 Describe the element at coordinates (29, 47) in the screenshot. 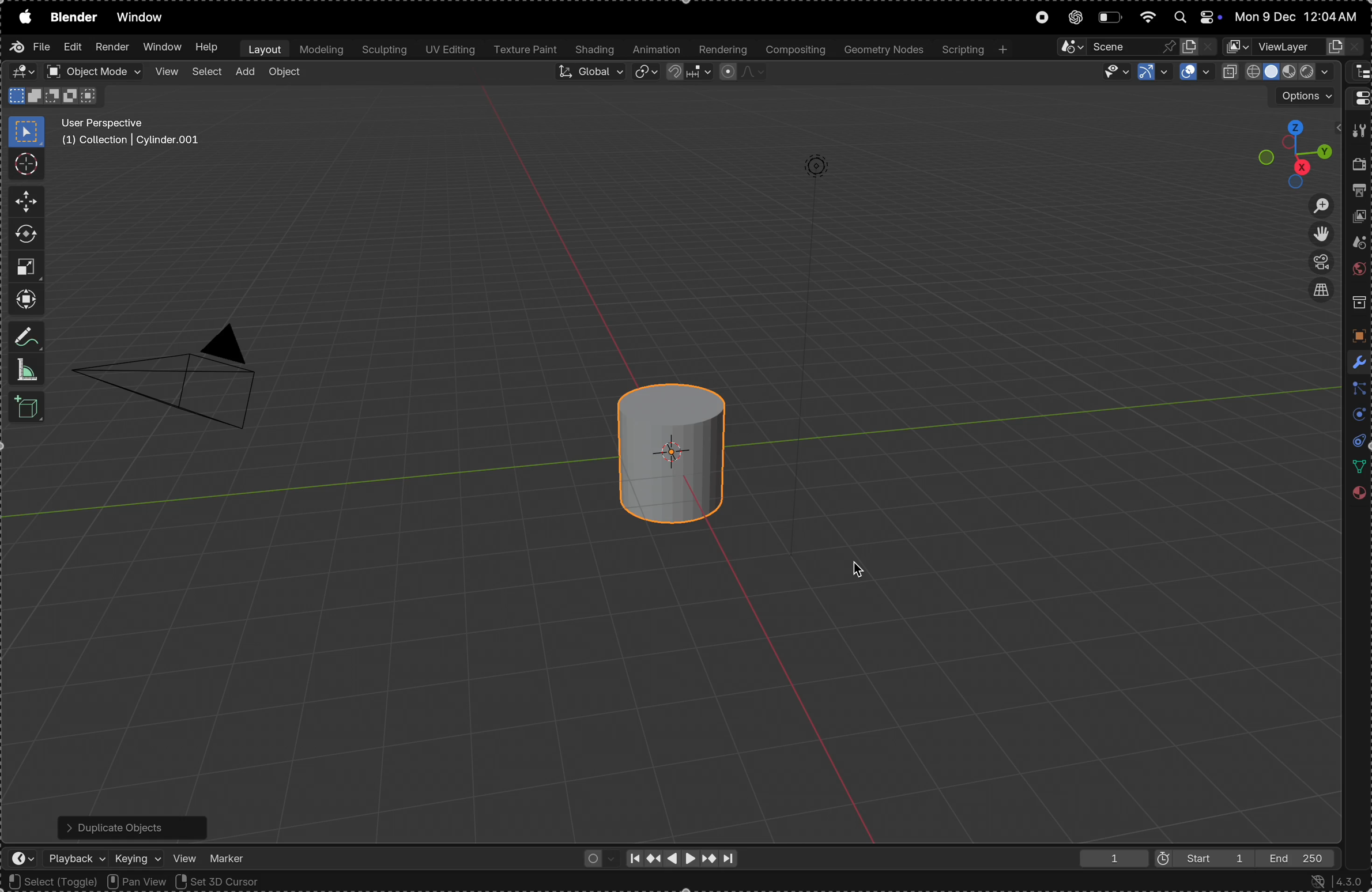

I see `file` at that location.